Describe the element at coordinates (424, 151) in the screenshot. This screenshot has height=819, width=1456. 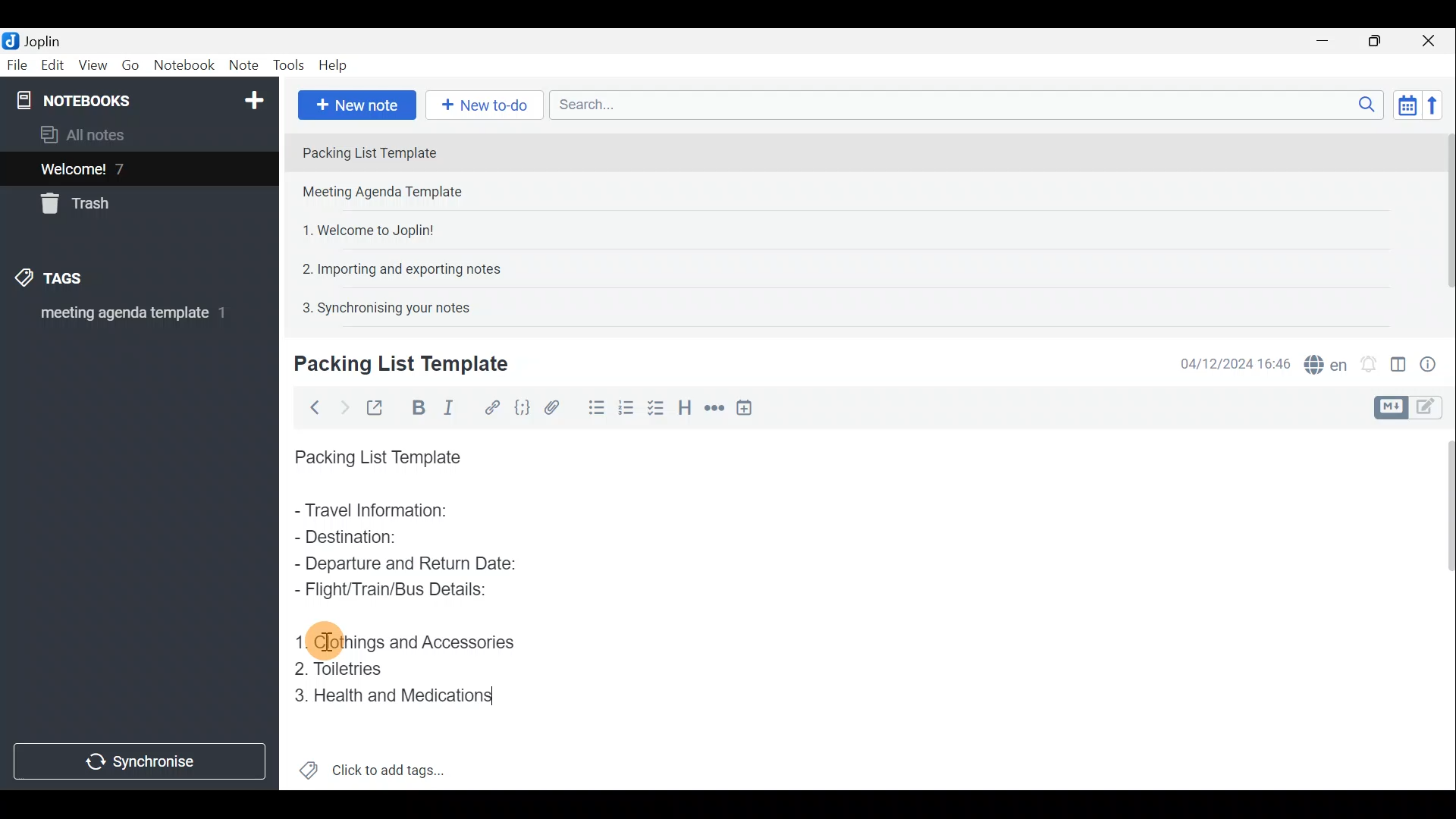
I see `Note 1` at that location.